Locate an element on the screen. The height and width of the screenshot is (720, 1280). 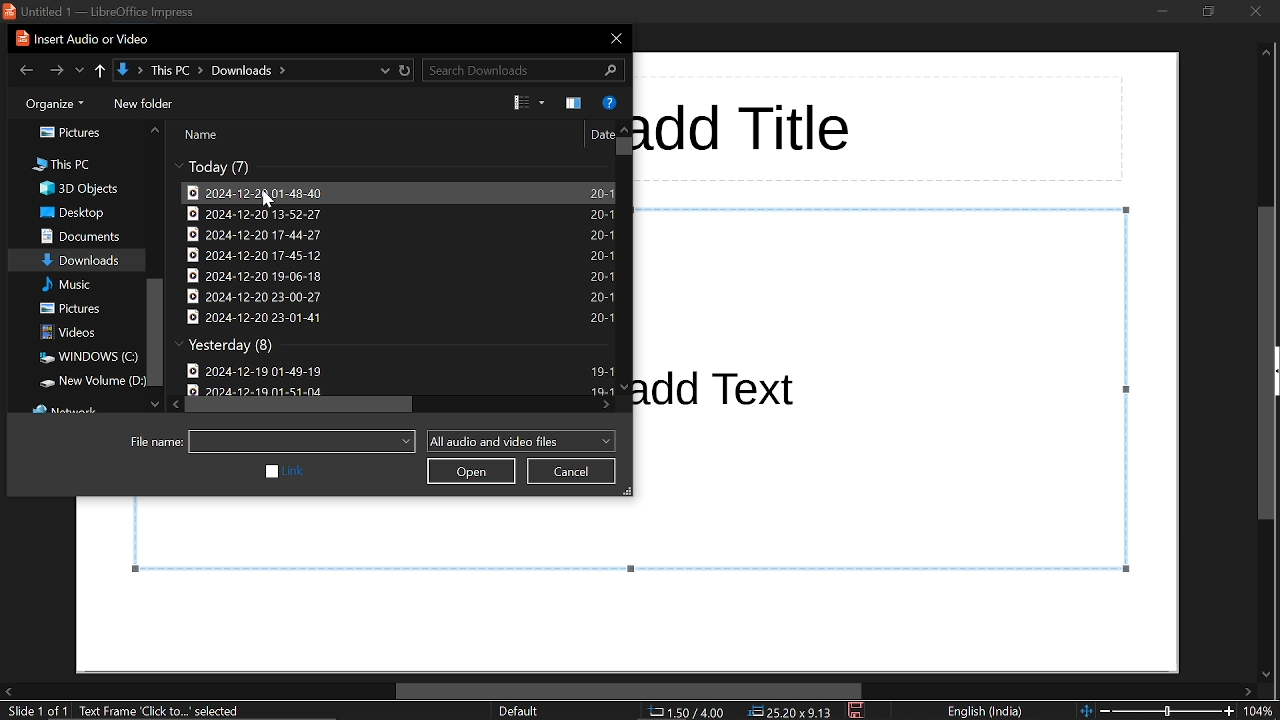
zoom change is located at coordinates (1157, 712).